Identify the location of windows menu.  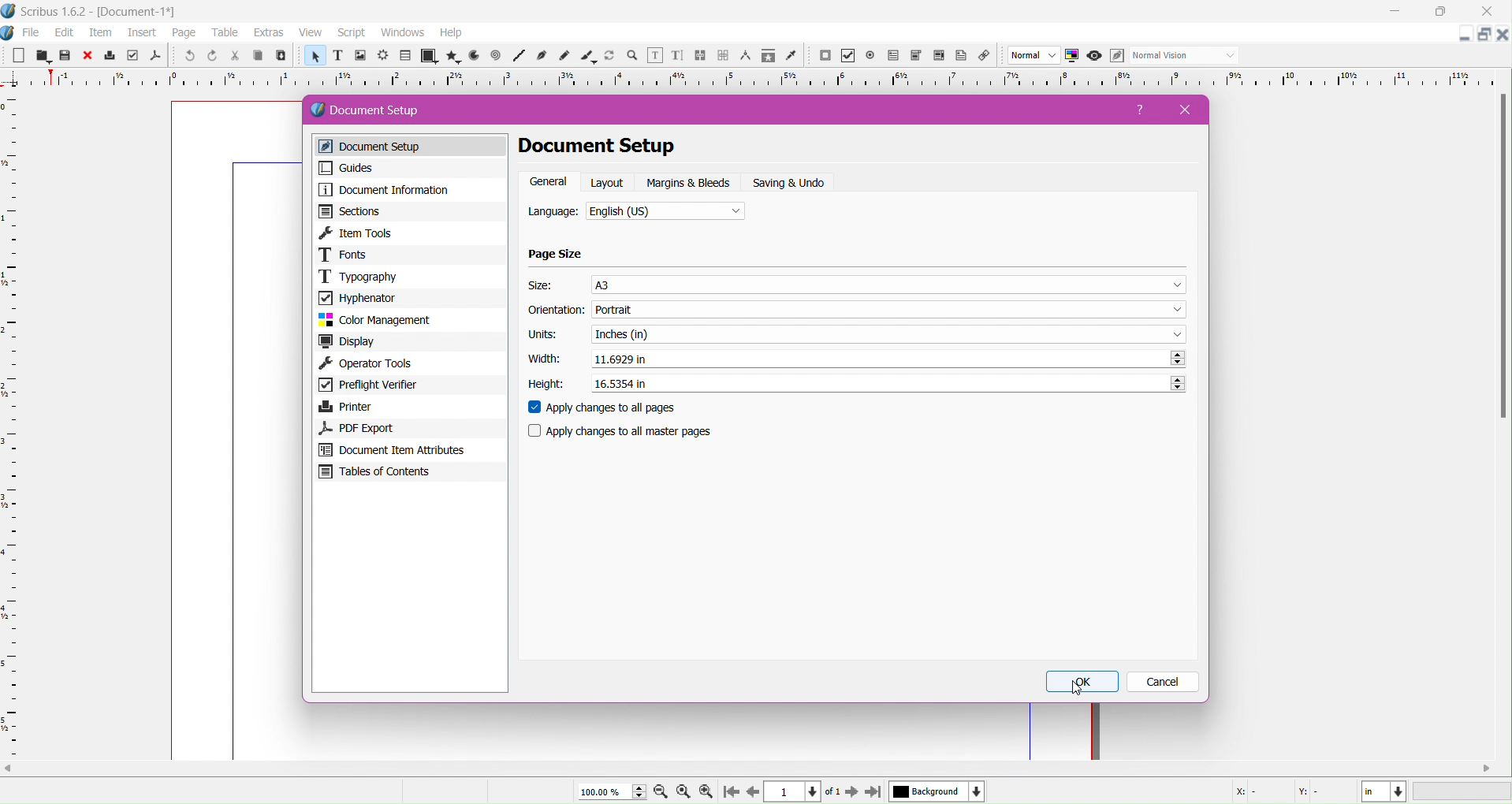
(402, 33).